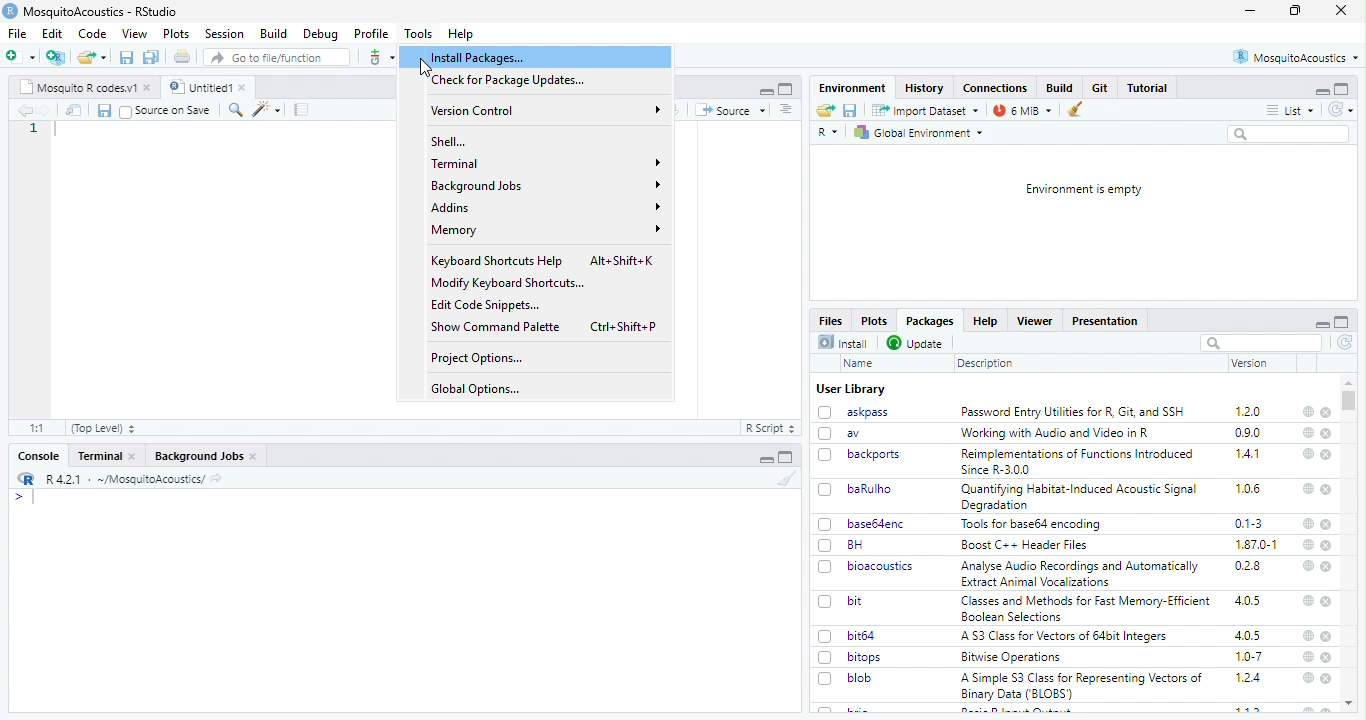 The width and height of the screenshot is (1366, 720). Describe the element at coordinates (1327, 637) in the screenshot. I see `close` at that location.